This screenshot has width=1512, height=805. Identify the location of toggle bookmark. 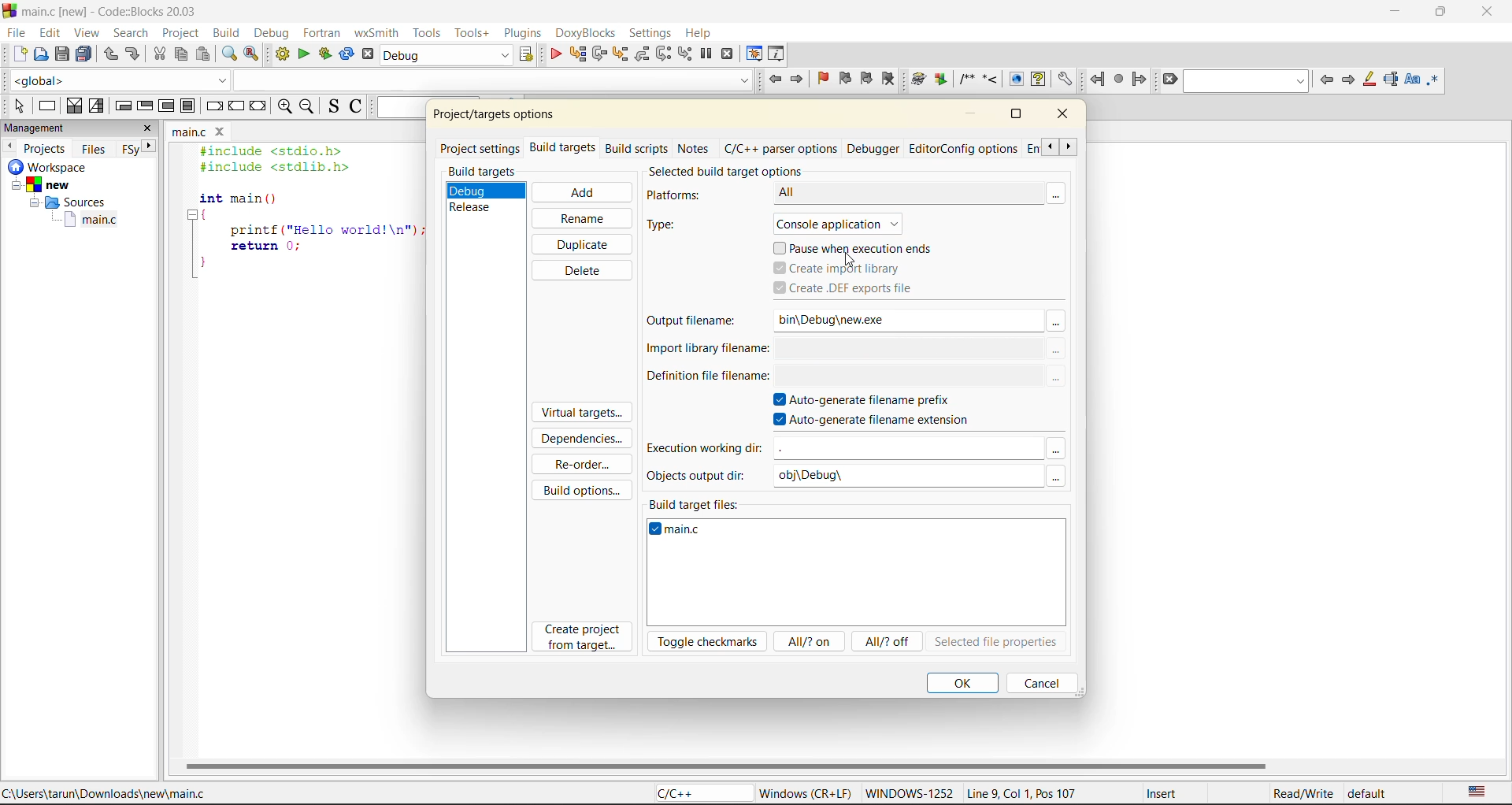
(826, 78).